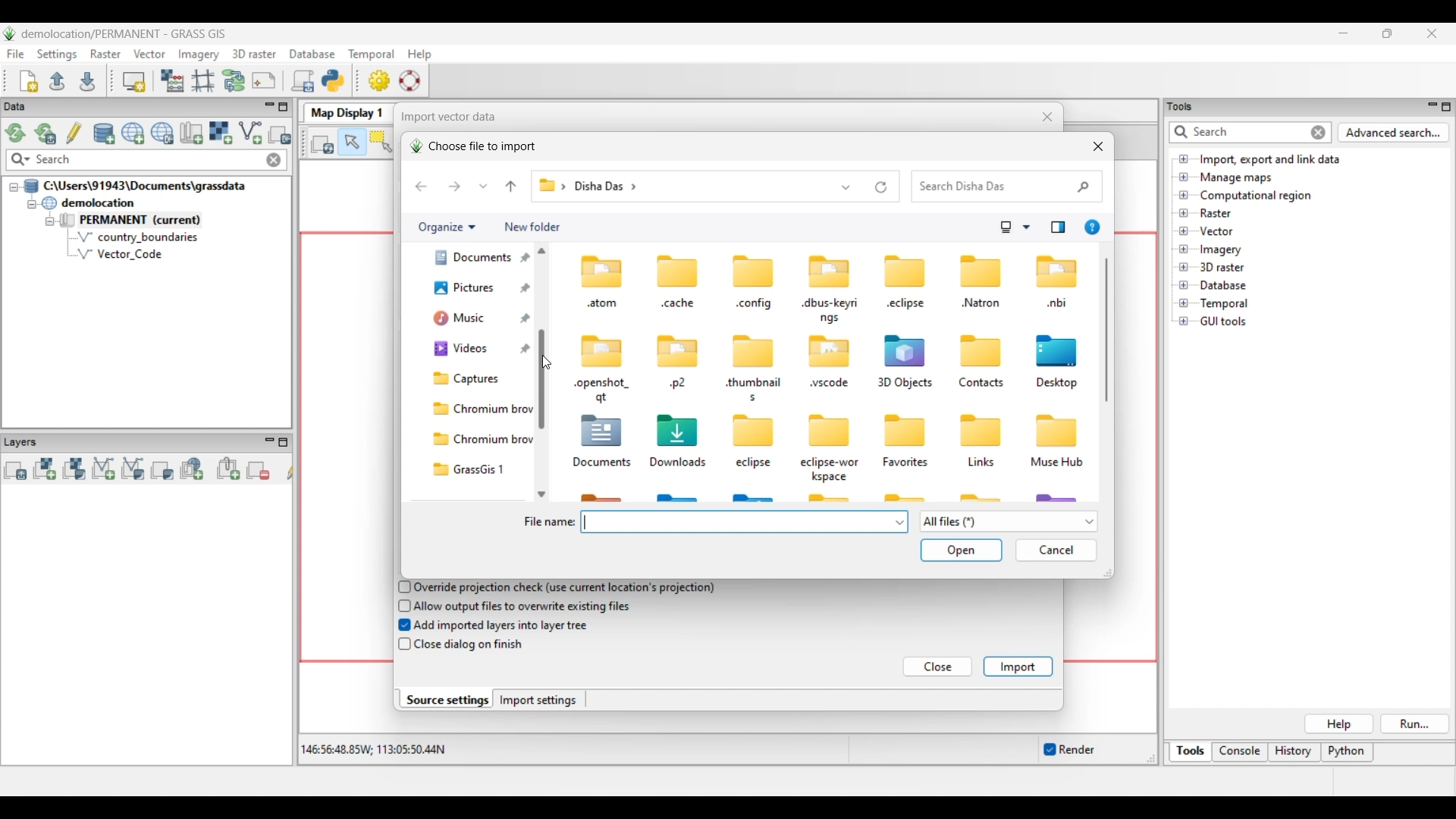 The width and height of the screenshot is (1456, 819). What do you see at coordinates (162, 133) in the screenshot?
I see `Download sample project (location) to current GRASS database` at bounding box center [162, 133].